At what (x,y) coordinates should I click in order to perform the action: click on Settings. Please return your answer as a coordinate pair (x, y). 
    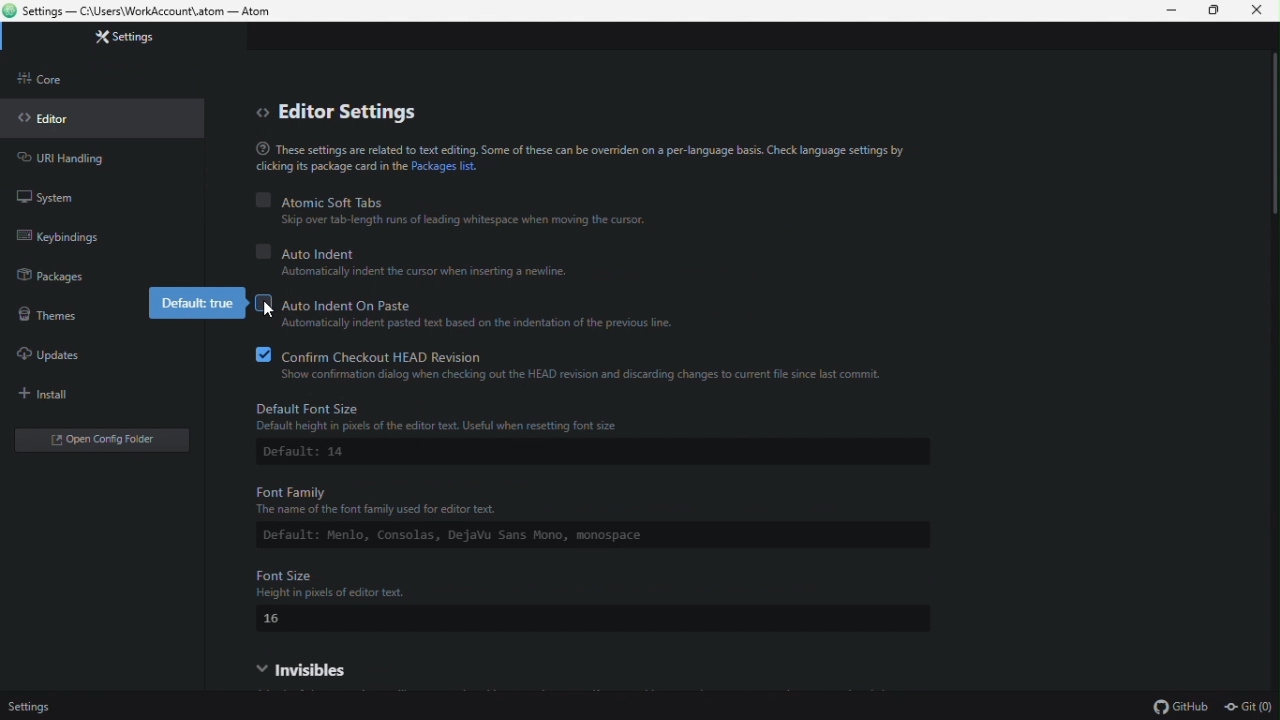
    Looking at the image, I should click on (31, 704).